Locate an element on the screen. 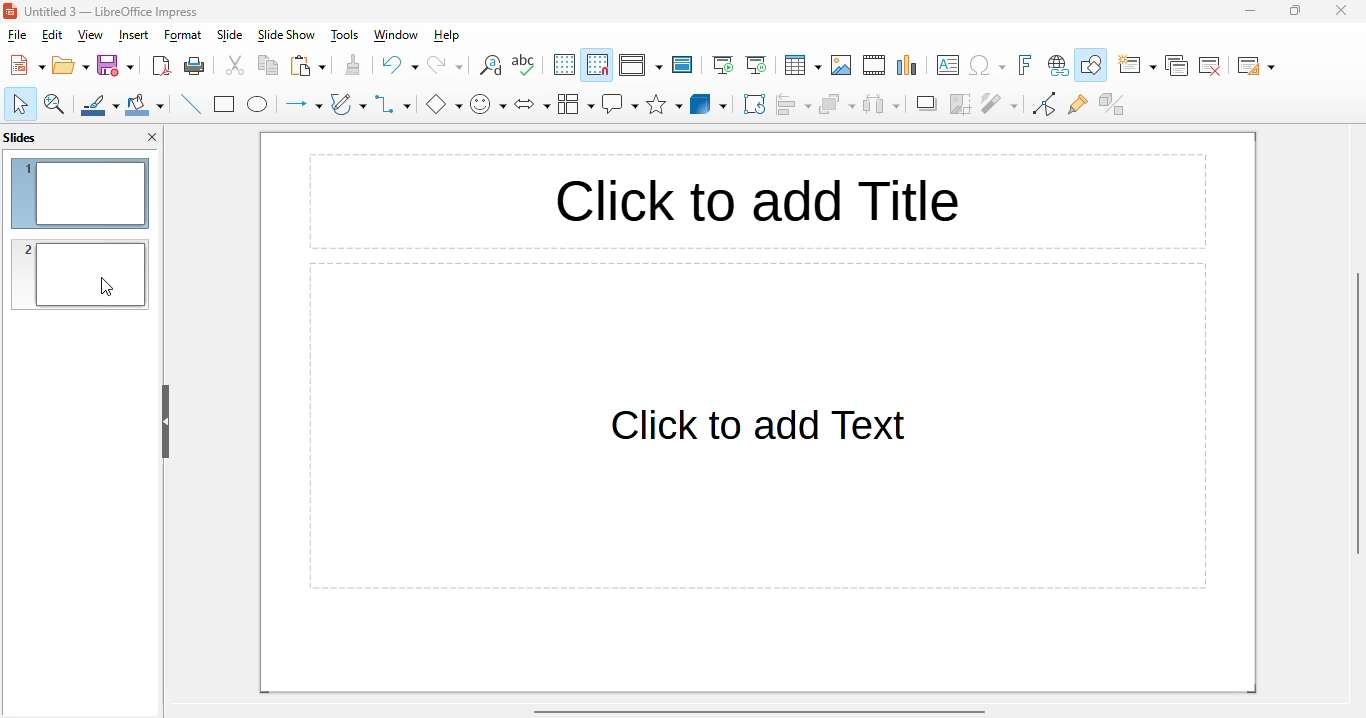  shadow is located at coordinates (927, 104).